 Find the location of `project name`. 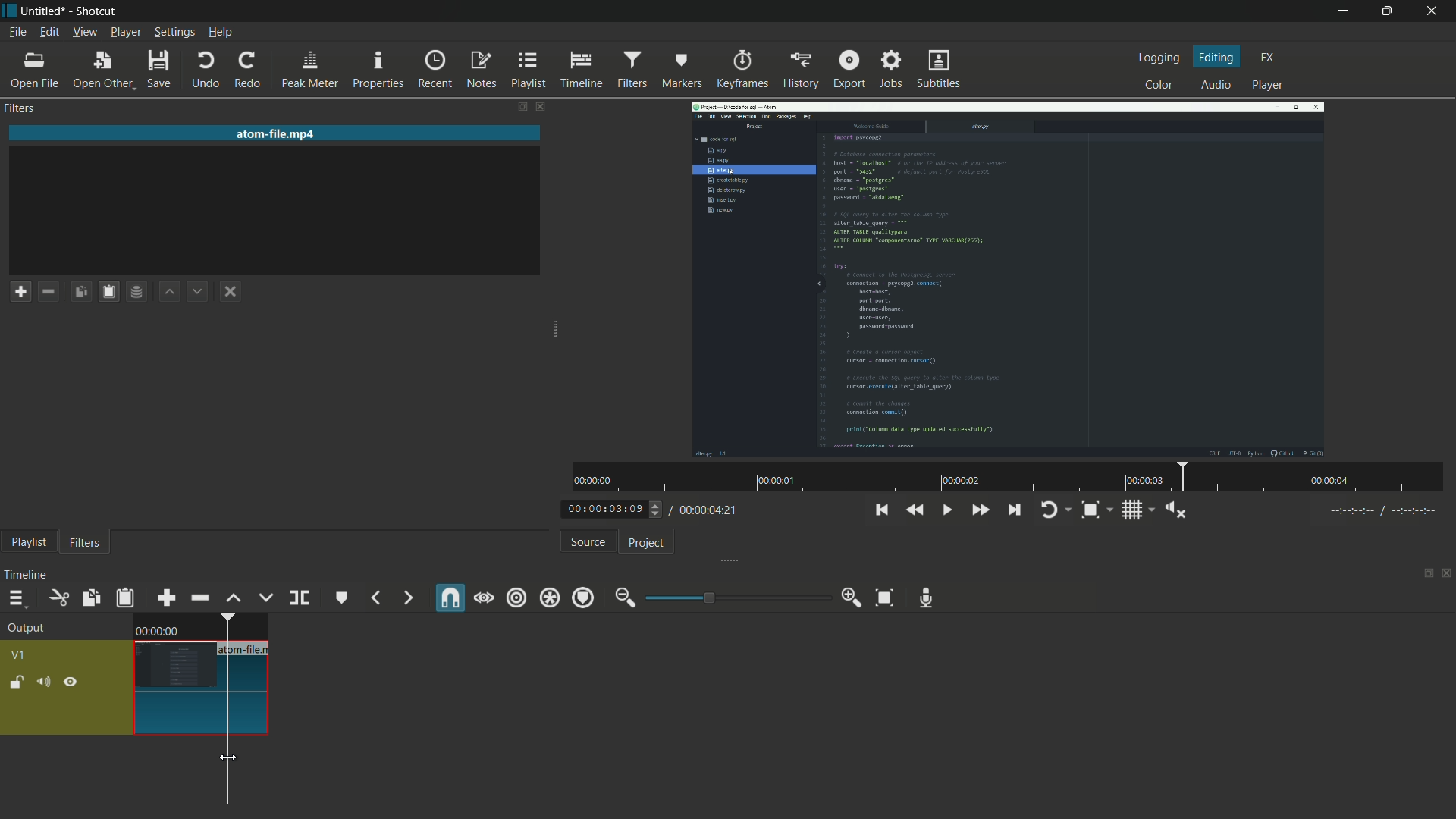

project name is located at coordinates (42, 11).